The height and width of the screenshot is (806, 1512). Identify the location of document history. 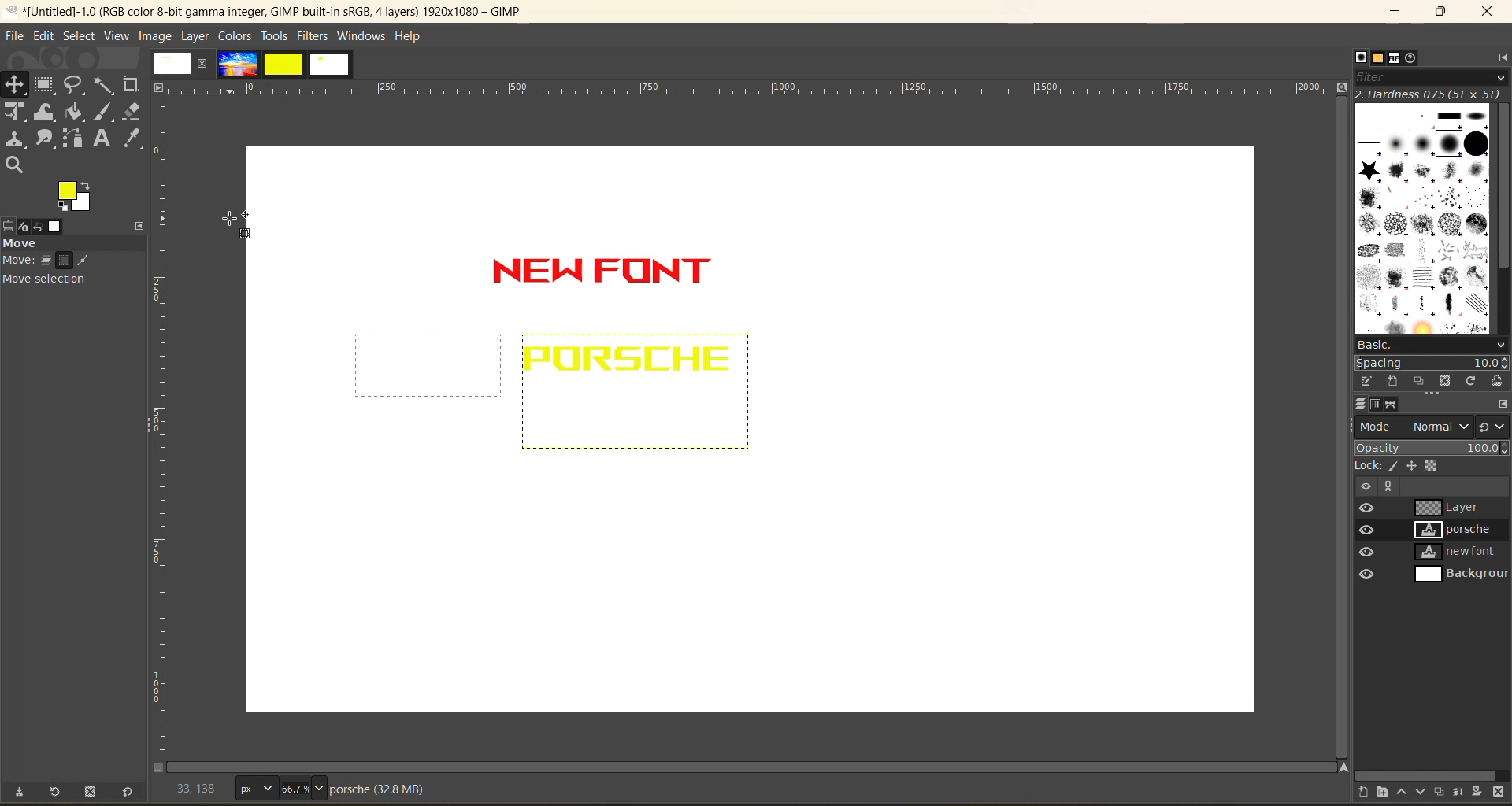
(1420, 57).